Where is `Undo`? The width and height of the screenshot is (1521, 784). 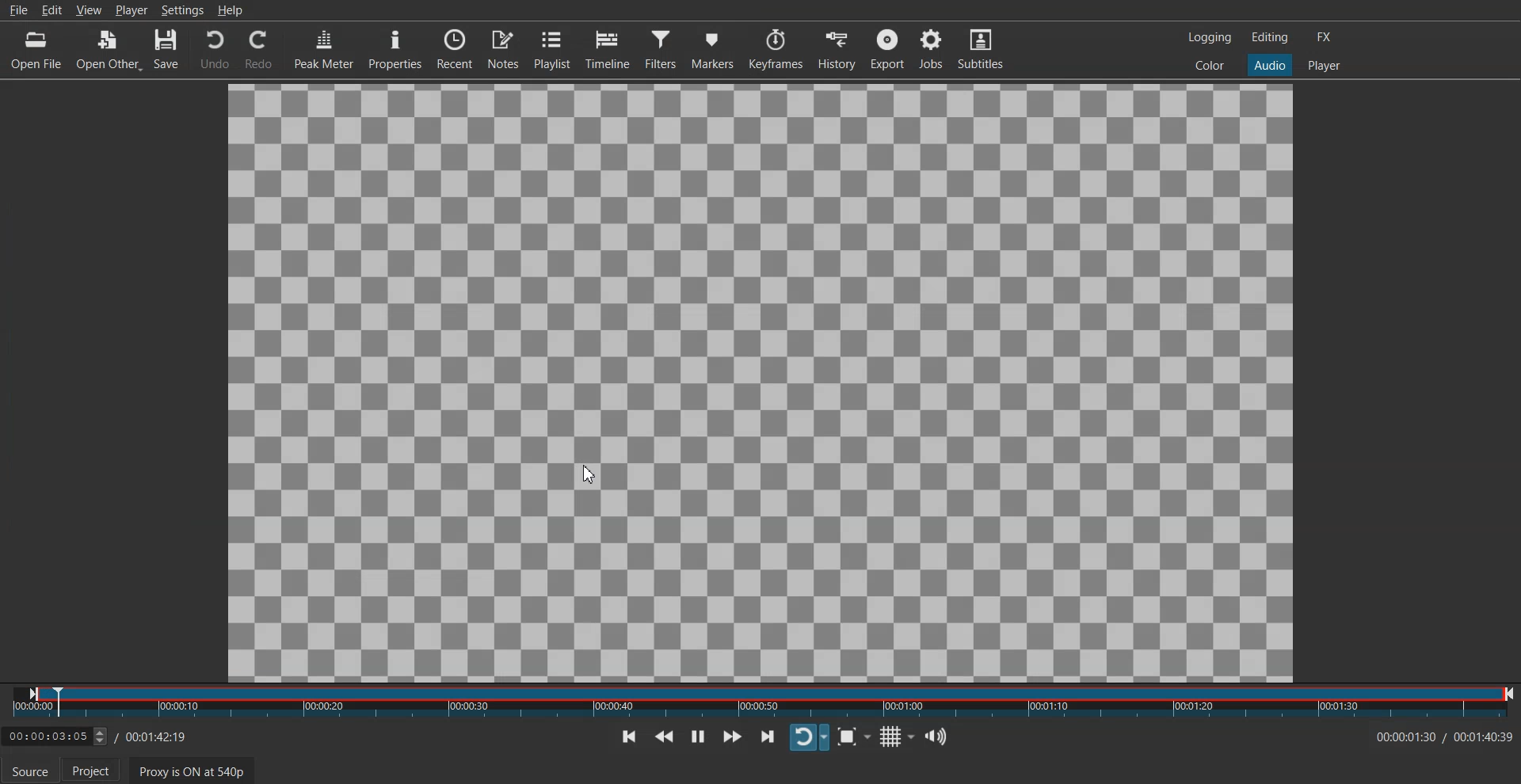 Undo is located at coordinates (214, 48).